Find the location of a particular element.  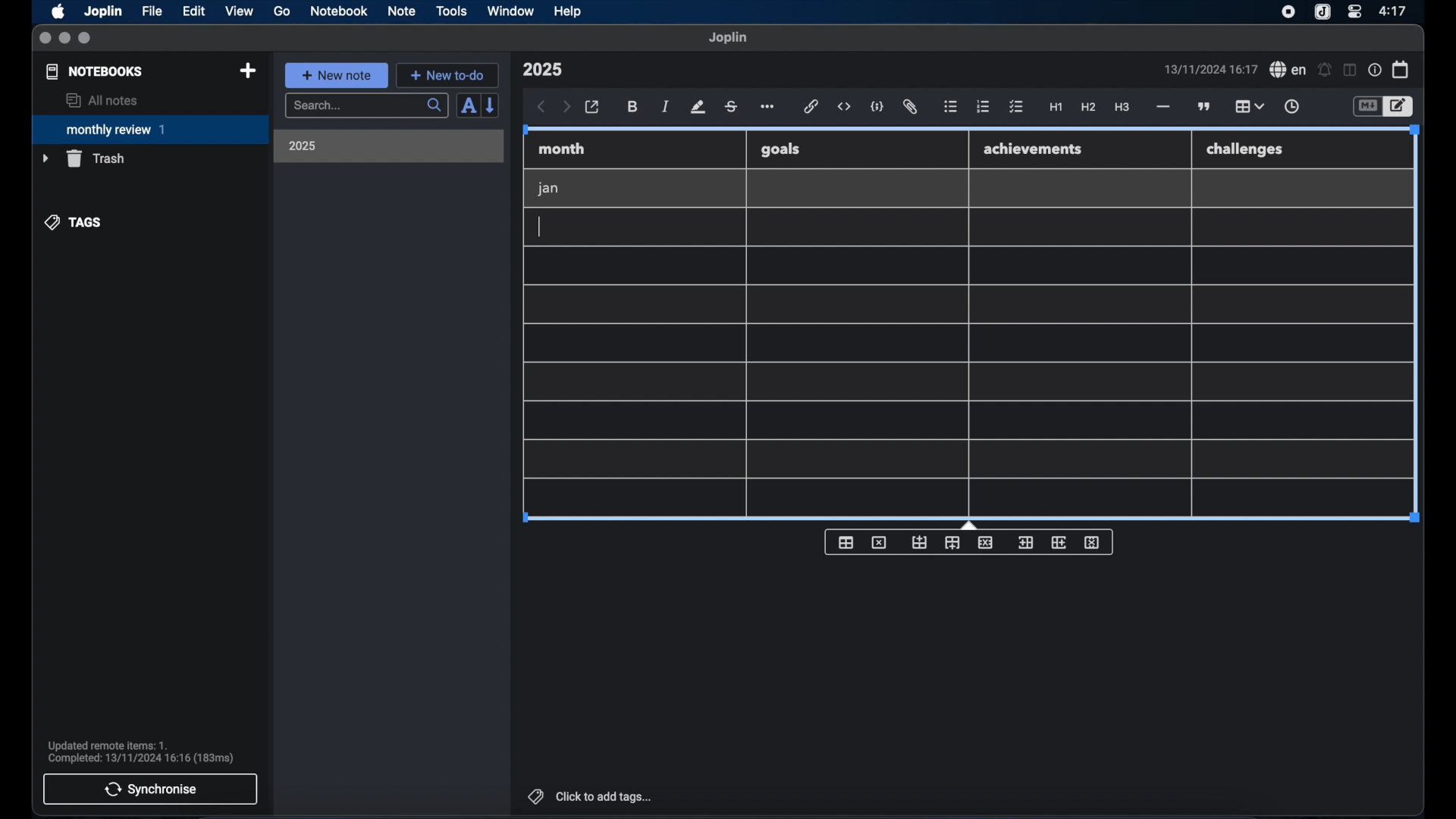

all notes is located at coordinates (102, 100).